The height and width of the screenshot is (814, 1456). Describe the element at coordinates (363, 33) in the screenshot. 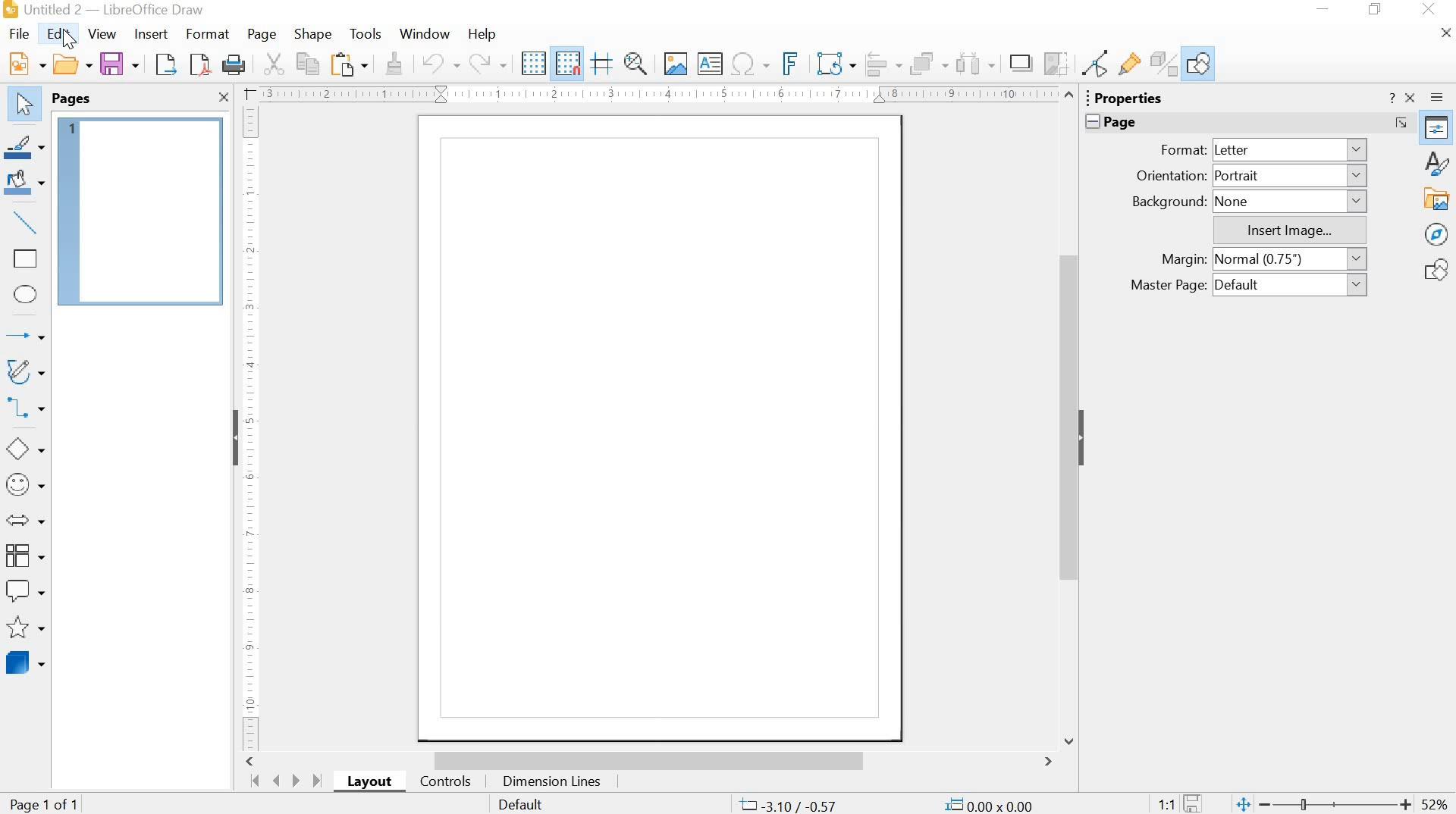

I see `Tools` at that location.